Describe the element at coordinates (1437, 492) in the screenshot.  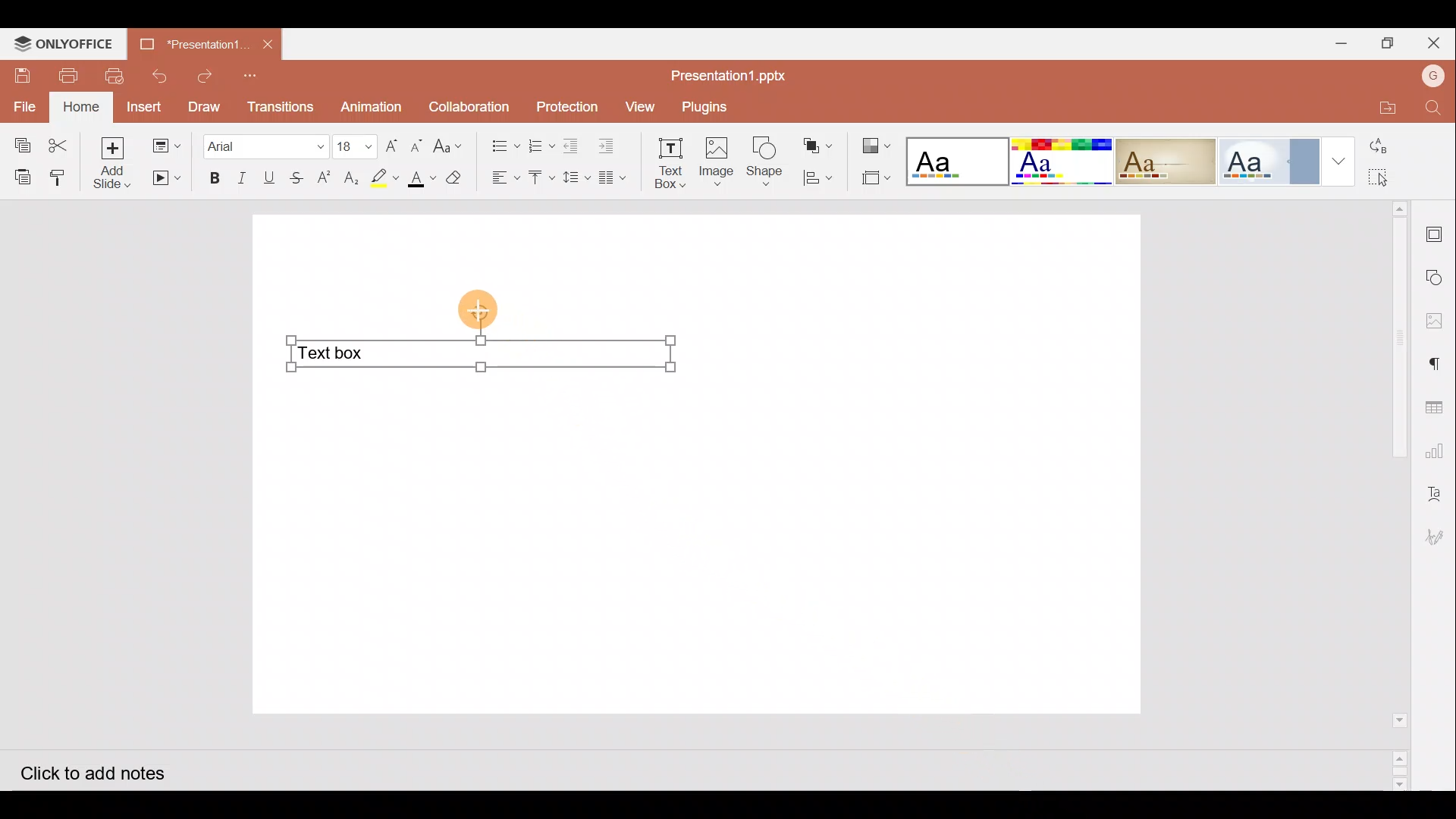
I see `Text Art settings` at that location.